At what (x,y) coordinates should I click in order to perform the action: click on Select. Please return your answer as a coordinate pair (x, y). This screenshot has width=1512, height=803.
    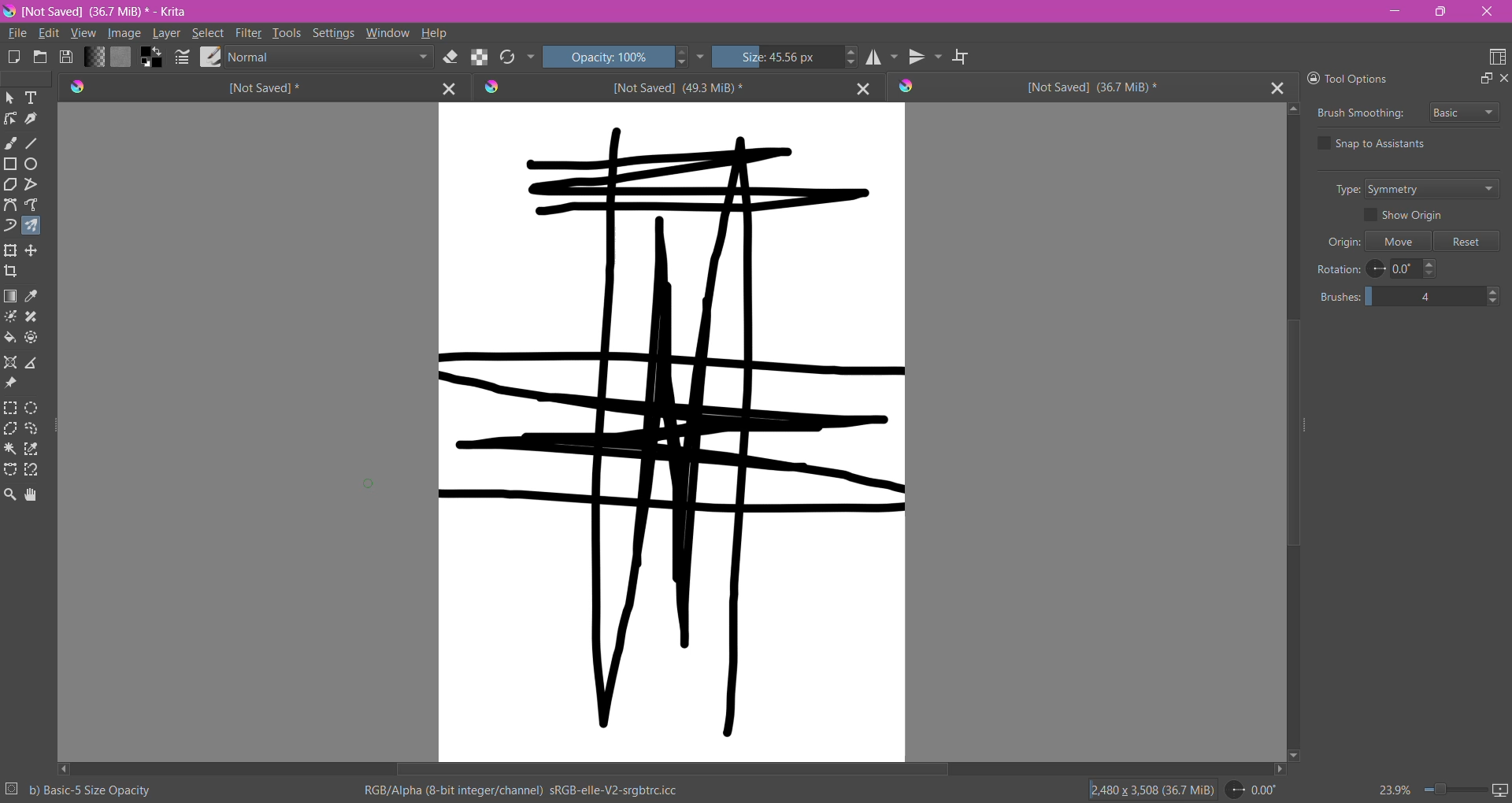
    Looking at the image, I should click on (207, 33).